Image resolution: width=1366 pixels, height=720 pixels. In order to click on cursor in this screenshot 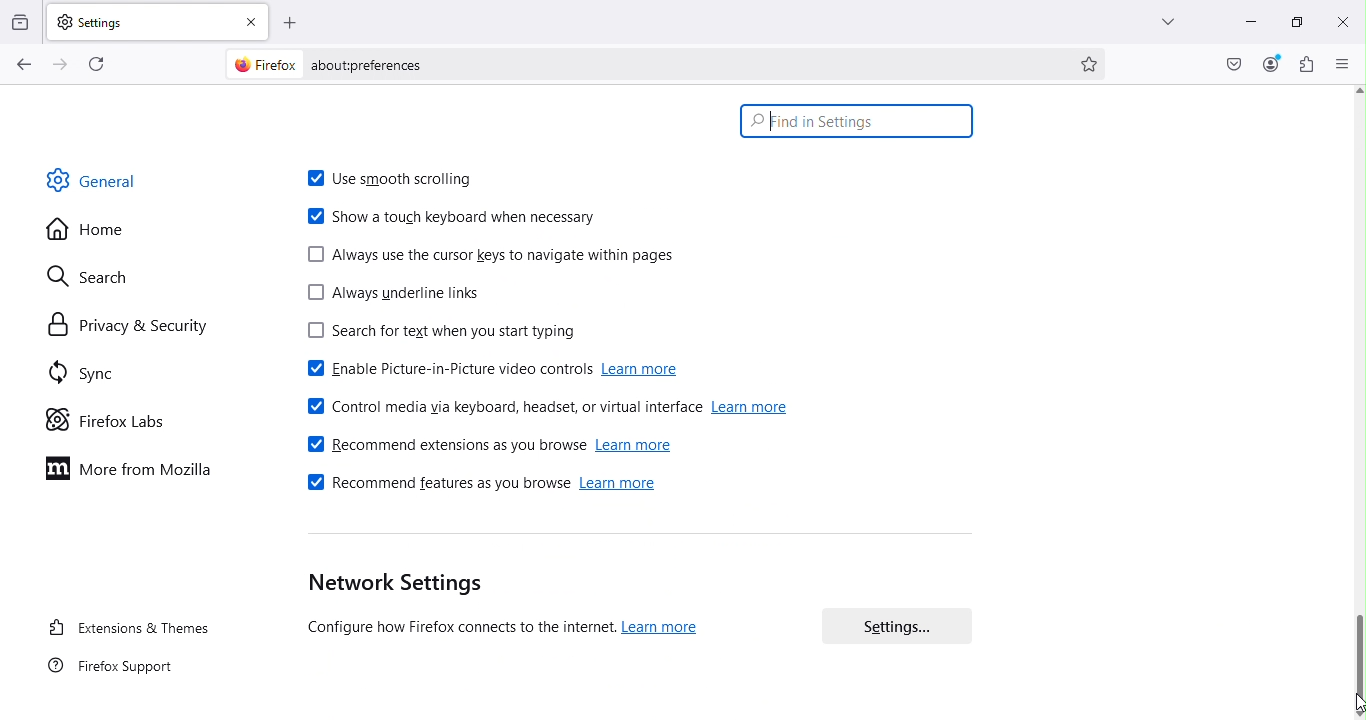, I will do `click(1352, 705)`.